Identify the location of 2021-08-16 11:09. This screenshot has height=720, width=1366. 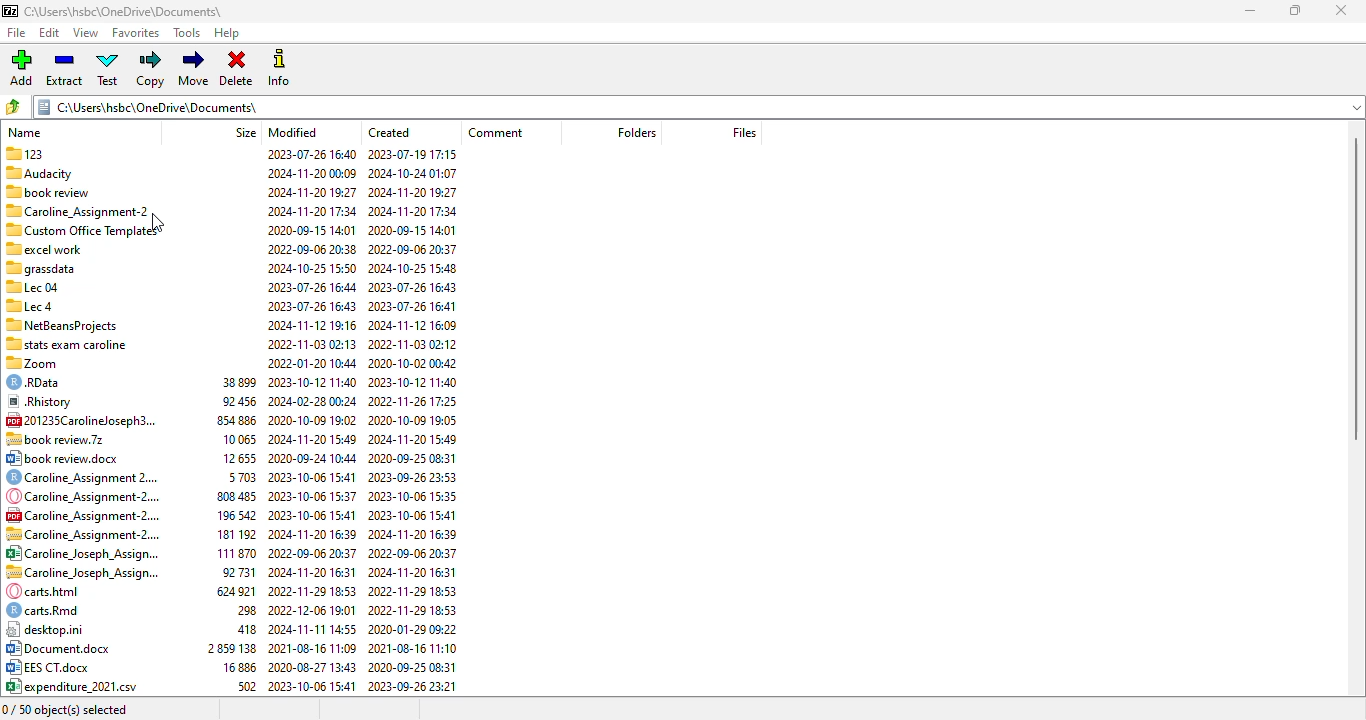
(311, 649).